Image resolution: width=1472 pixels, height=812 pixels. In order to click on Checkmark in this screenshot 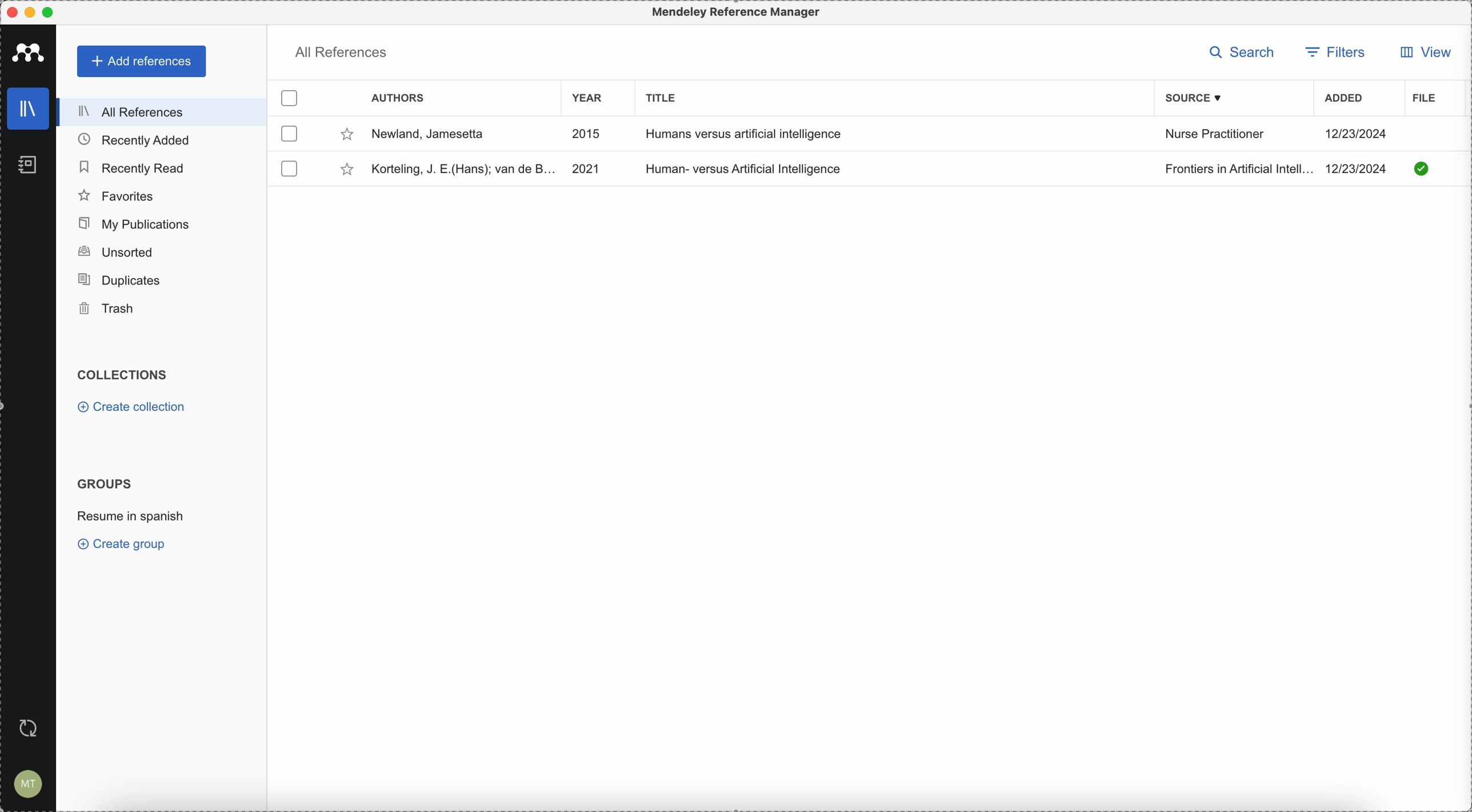, I will do `click(1422, 168)`.